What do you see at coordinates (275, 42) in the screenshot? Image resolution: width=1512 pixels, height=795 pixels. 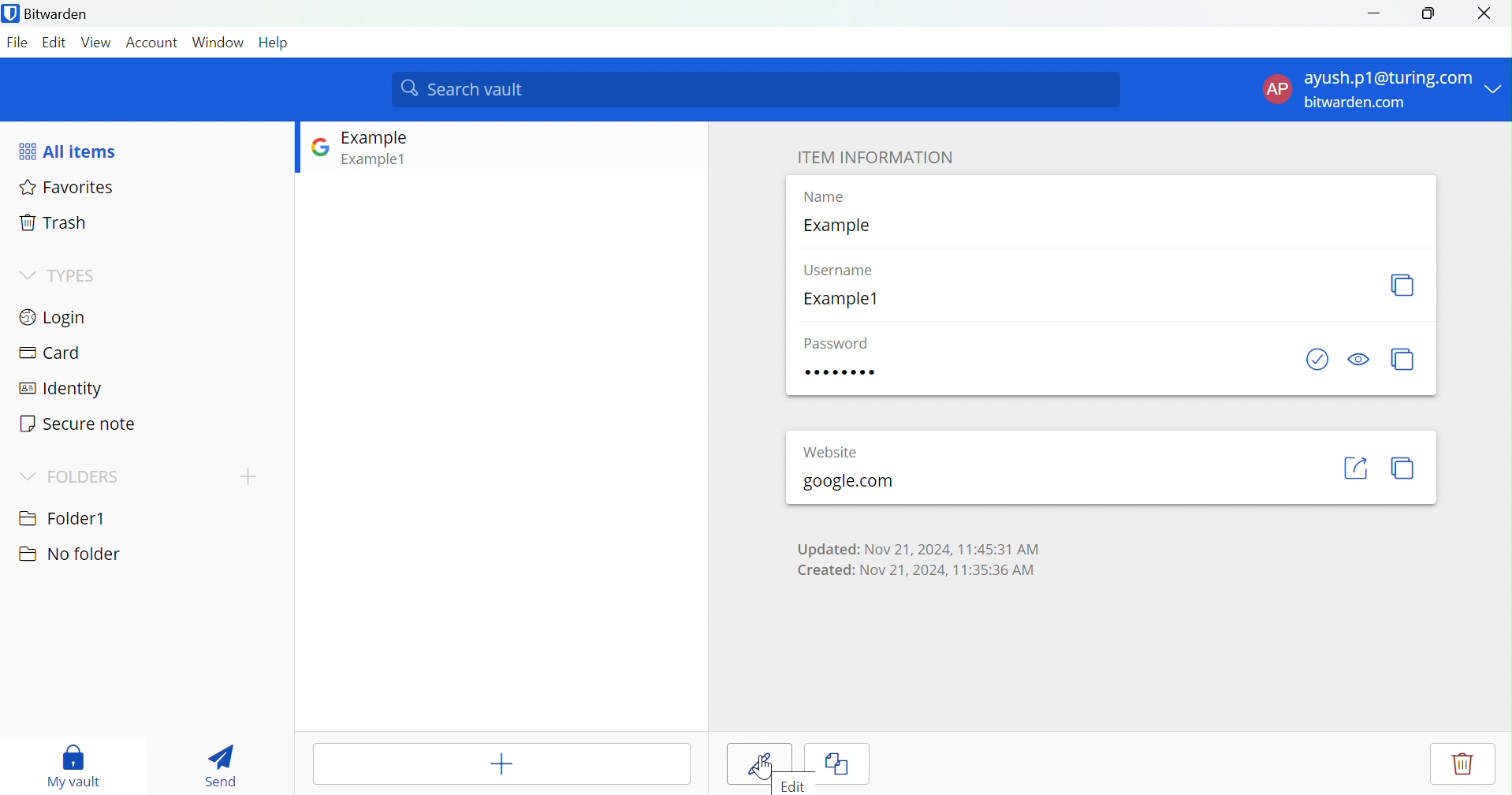 I see `Help` at bounding box center [275, 42].